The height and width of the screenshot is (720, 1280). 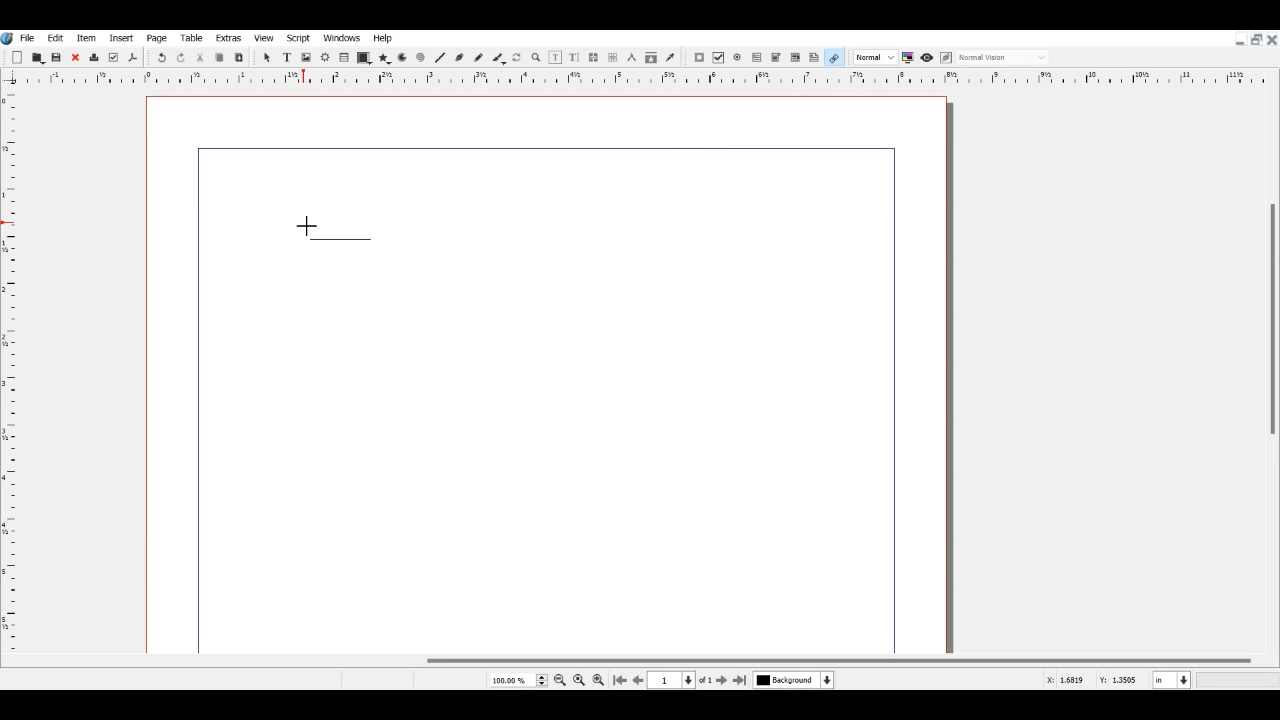 What do you see at coordinates (58, 57) in the screenshot?
I see `Save` at bounding box center [58, 57].